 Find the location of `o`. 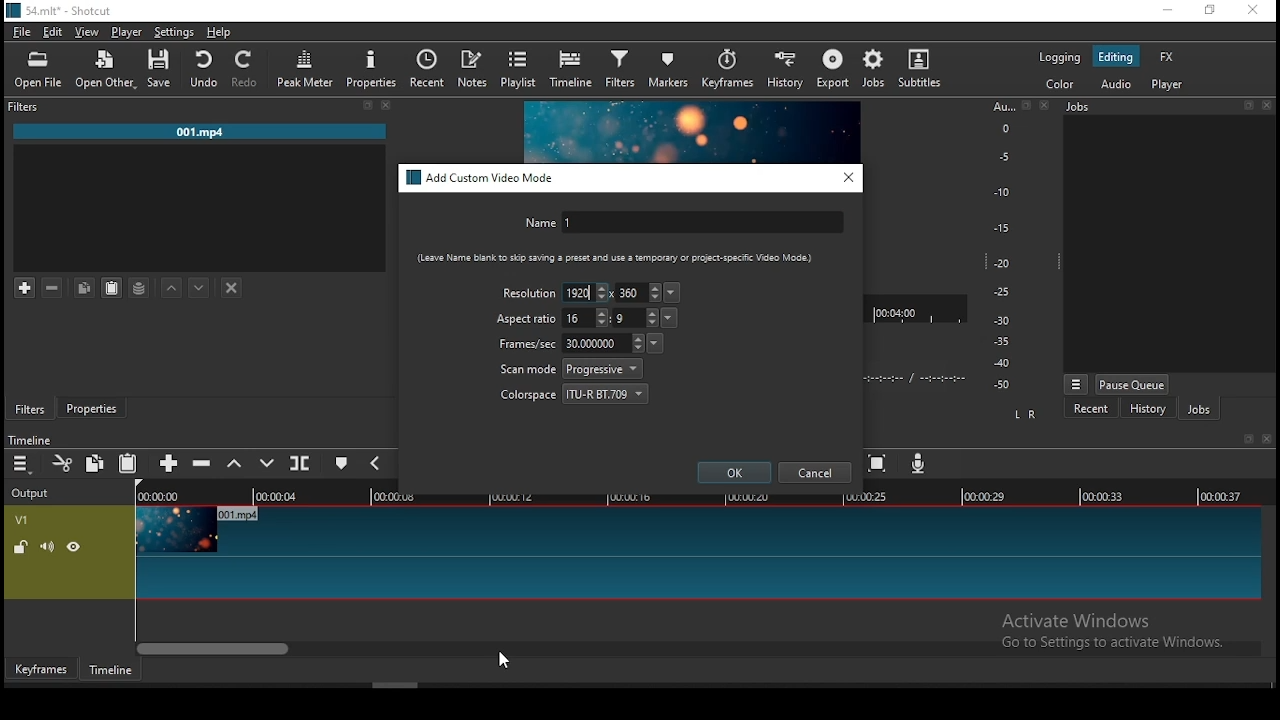

o is located at coordinates (998, 127).